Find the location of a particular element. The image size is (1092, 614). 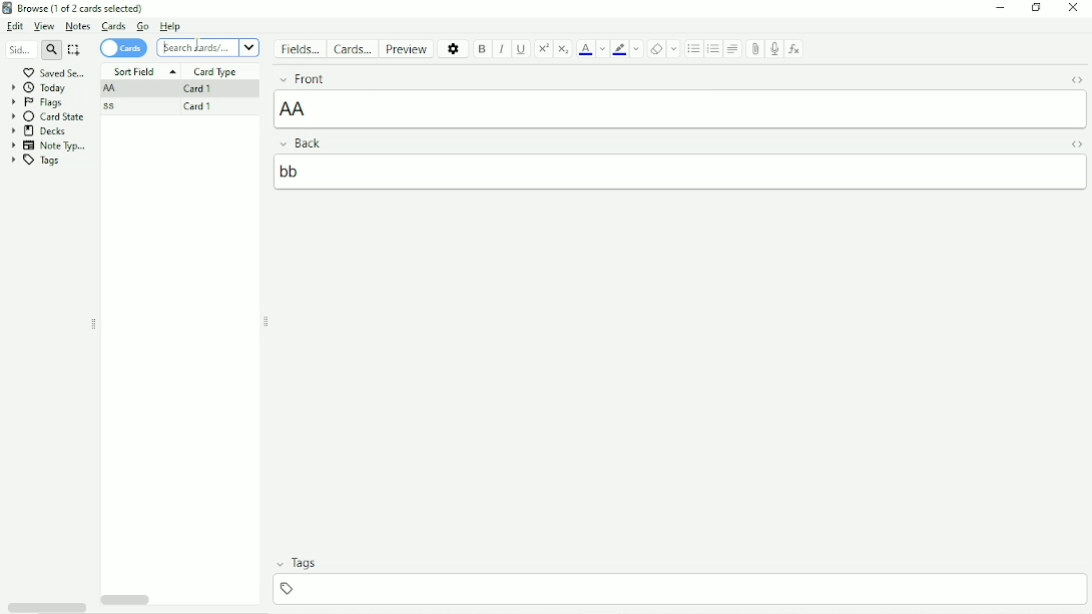

Sort Field is located at coordinates (143, 70).